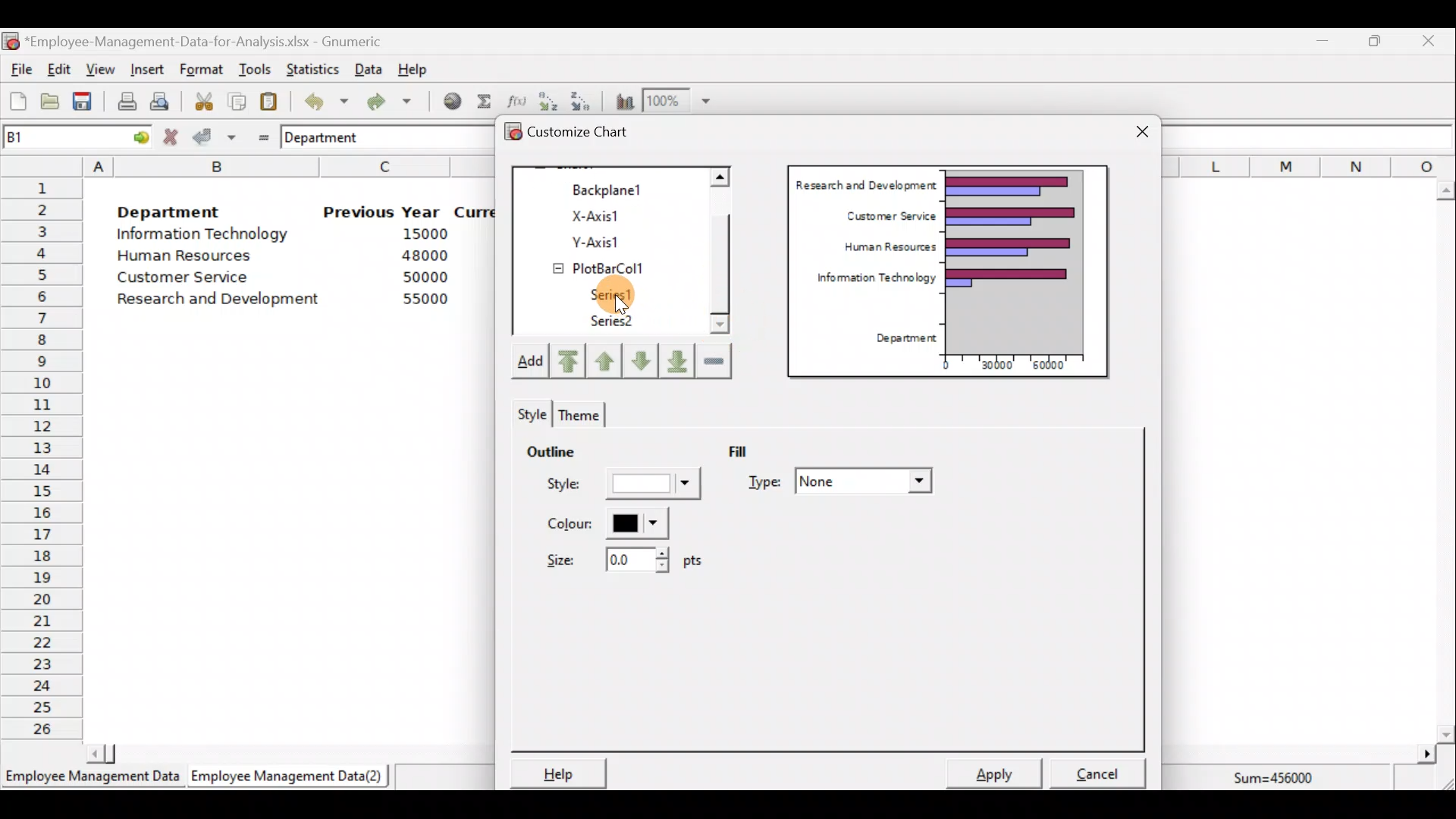 The image size is (1456, 819). Describe the element at coordinates (426, 299) in the screenshot. I see `55000` at that location.